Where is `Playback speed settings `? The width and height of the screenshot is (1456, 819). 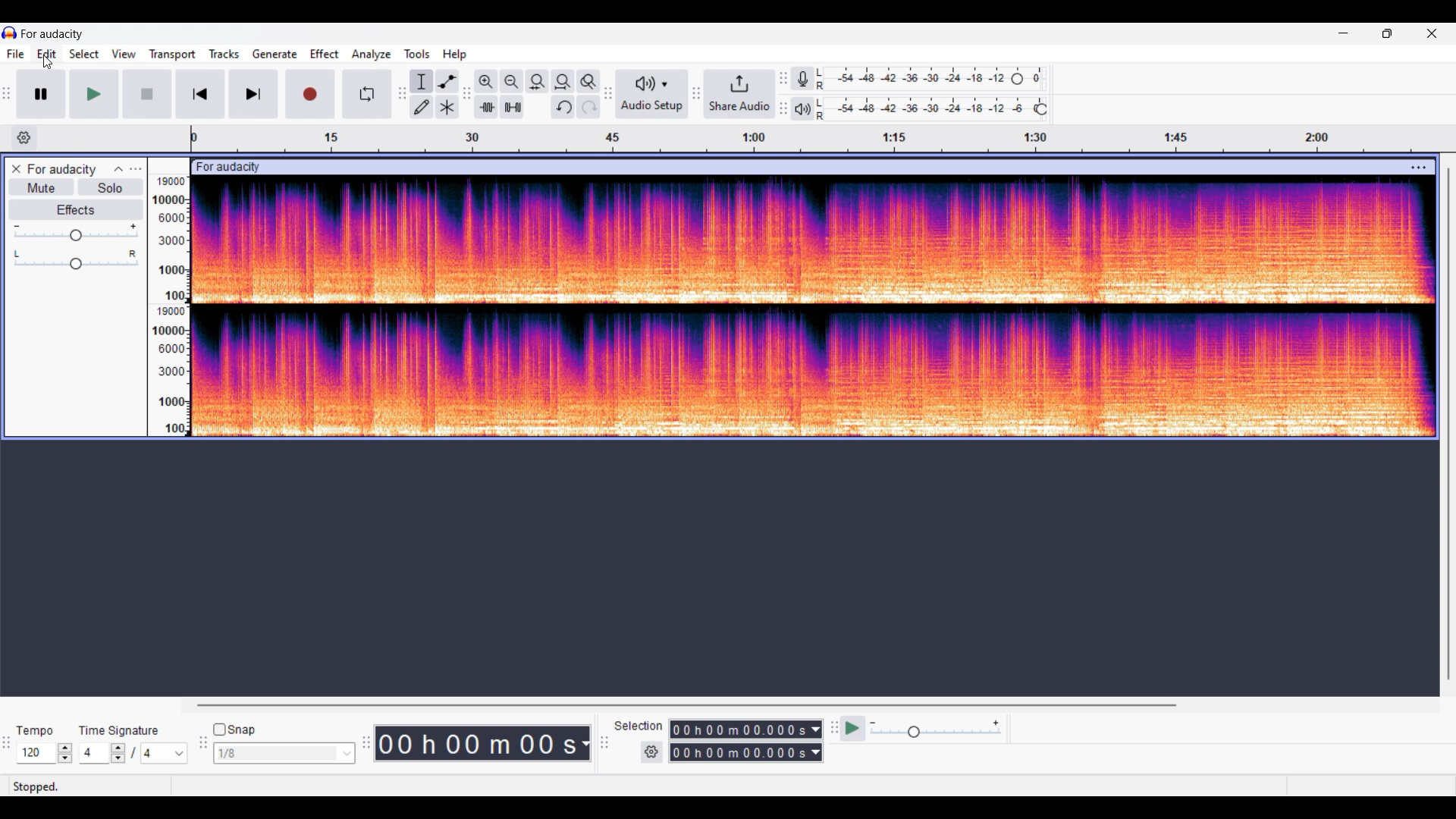 Playback speed settings  is located at coordinates (922, 728).